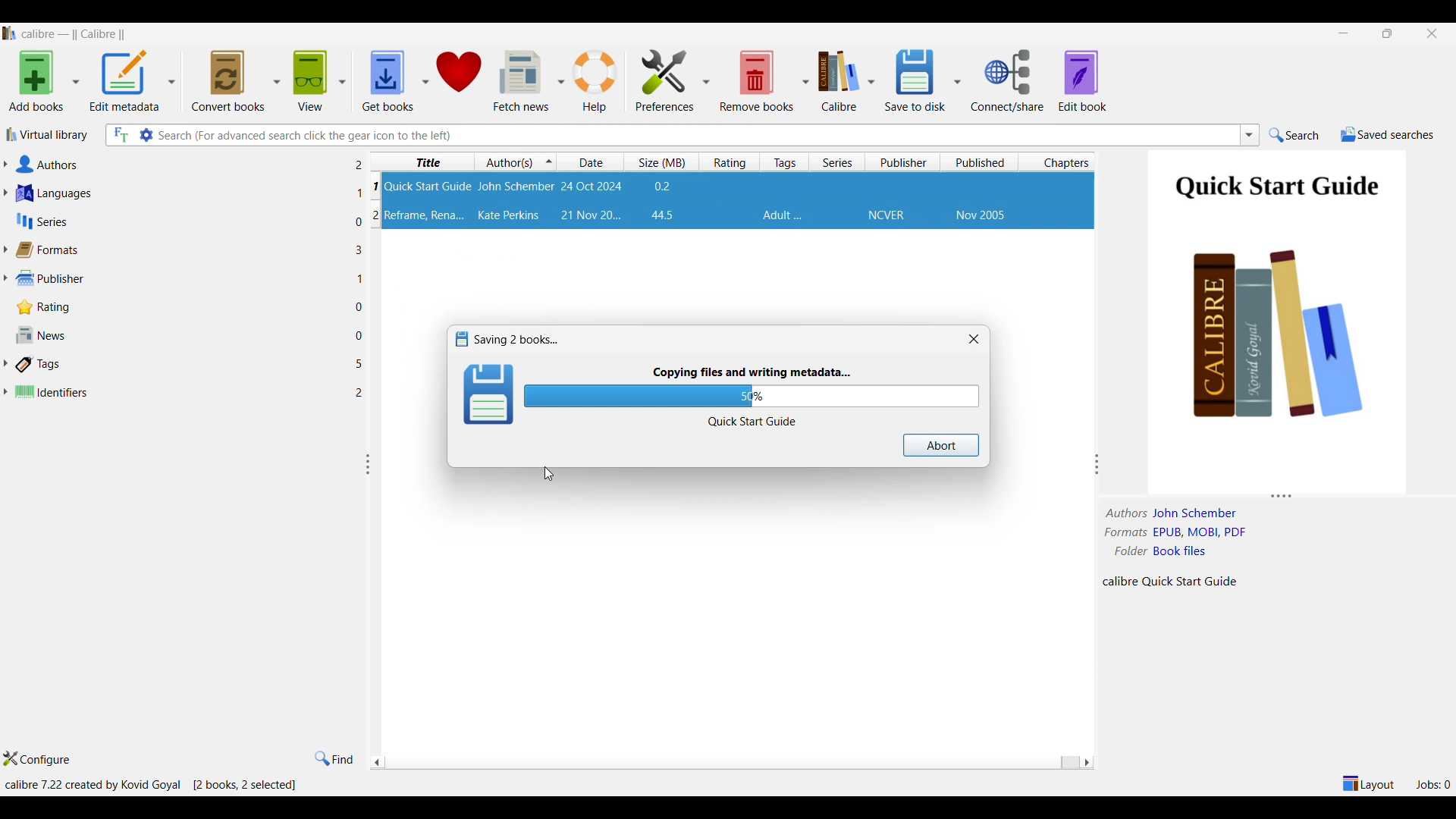  What do you see at coordinates (43, 80) in the screenshot?
I see `Add book options` at bounding box center [43, 80].